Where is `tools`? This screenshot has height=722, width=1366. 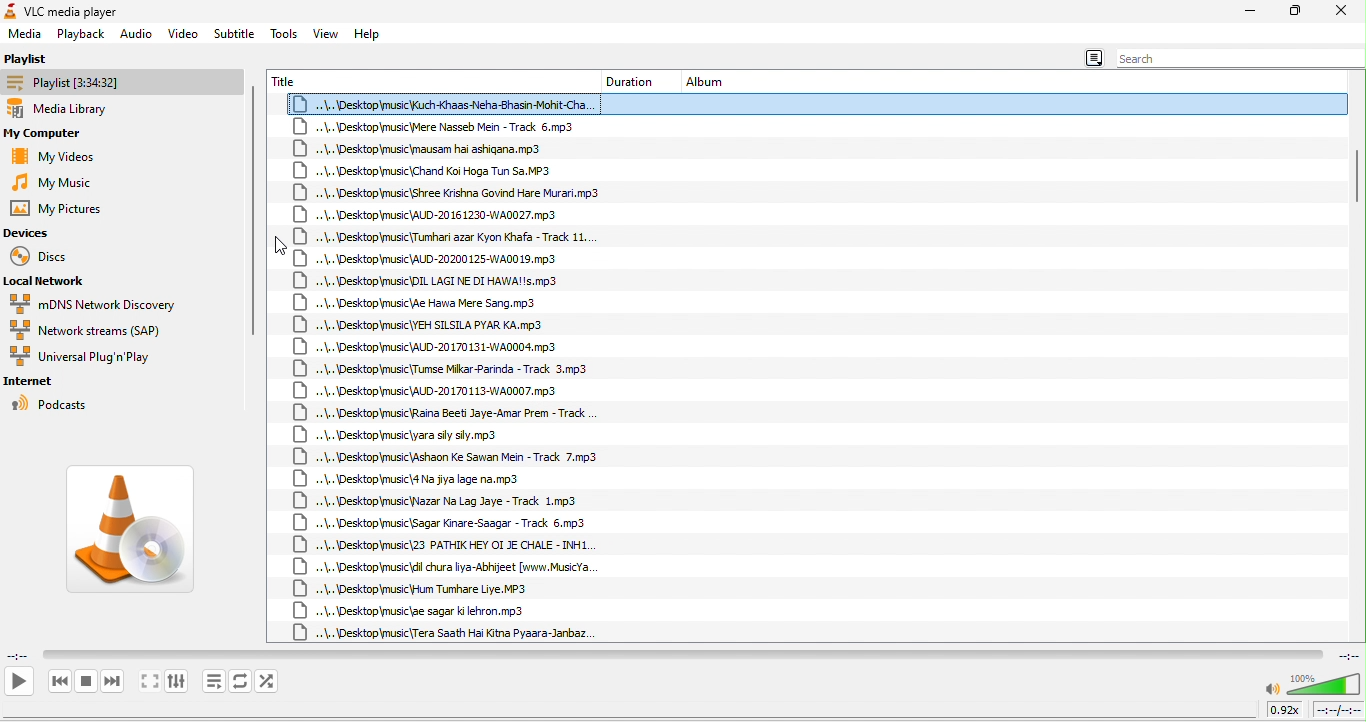
tools is located at coordinates (285, 33).